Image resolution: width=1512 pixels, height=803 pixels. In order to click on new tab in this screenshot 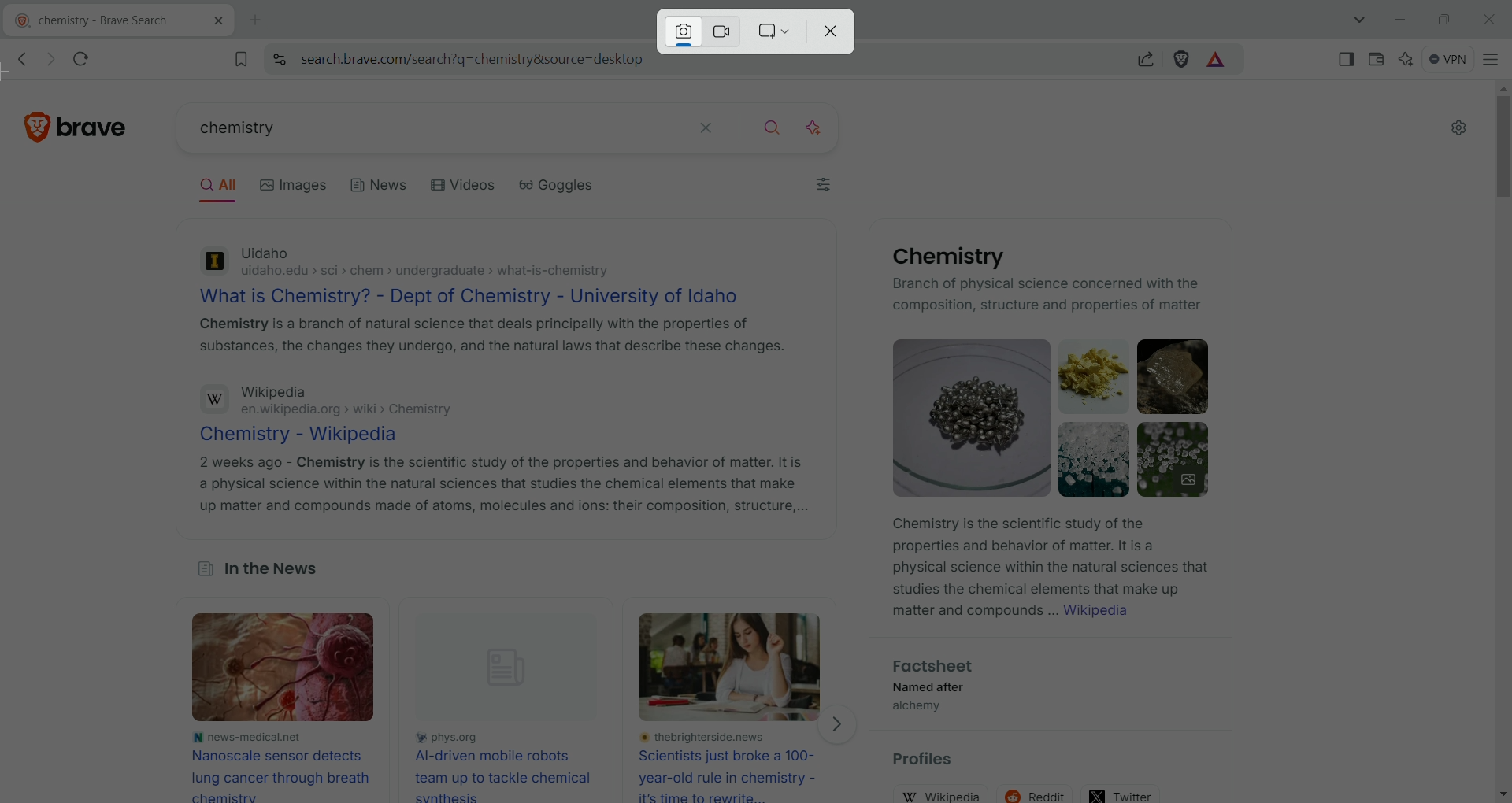, I will do `click(257, 20)`.